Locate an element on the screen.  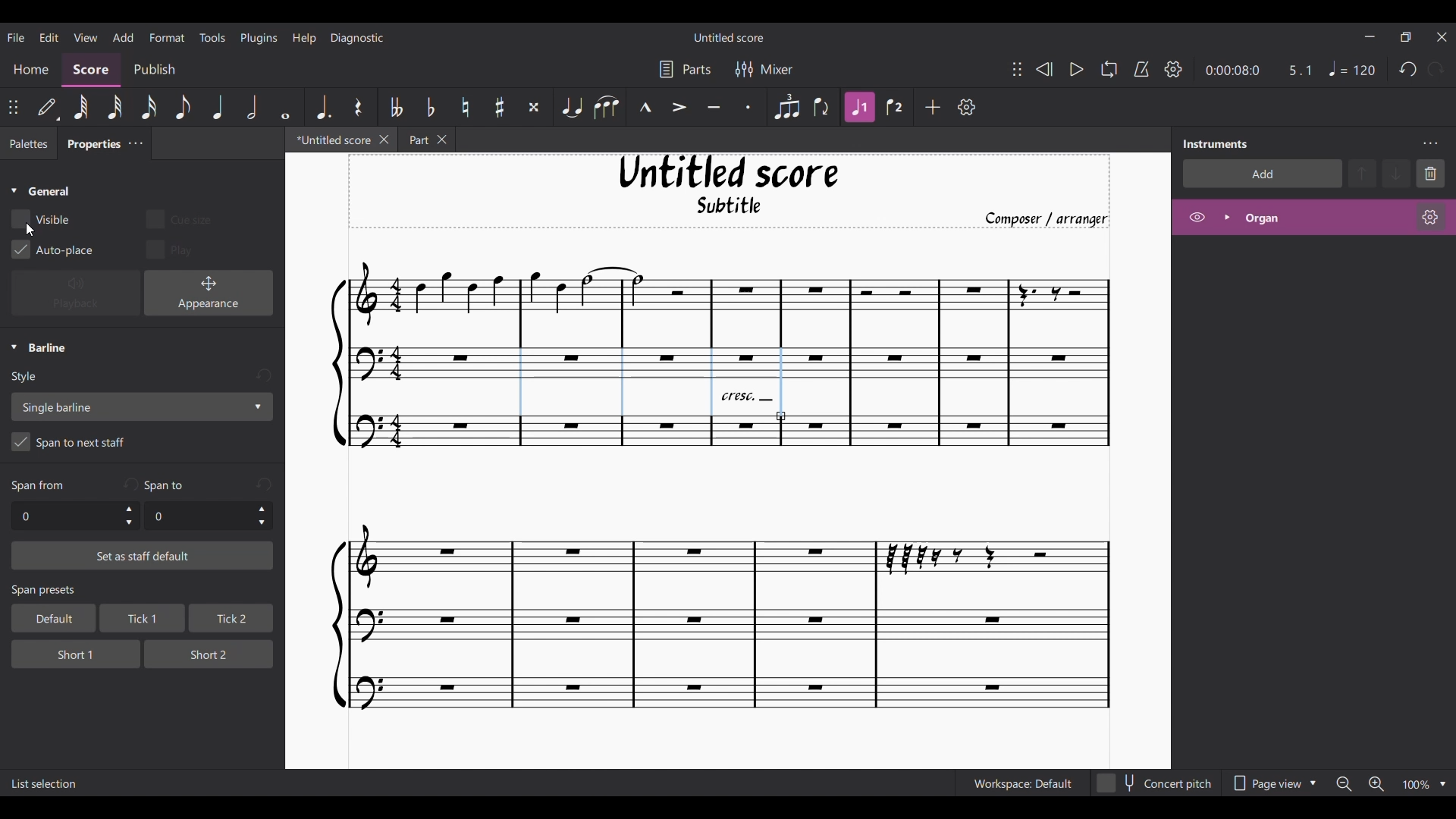
Description of current selection is located at coordinates (45, 784).